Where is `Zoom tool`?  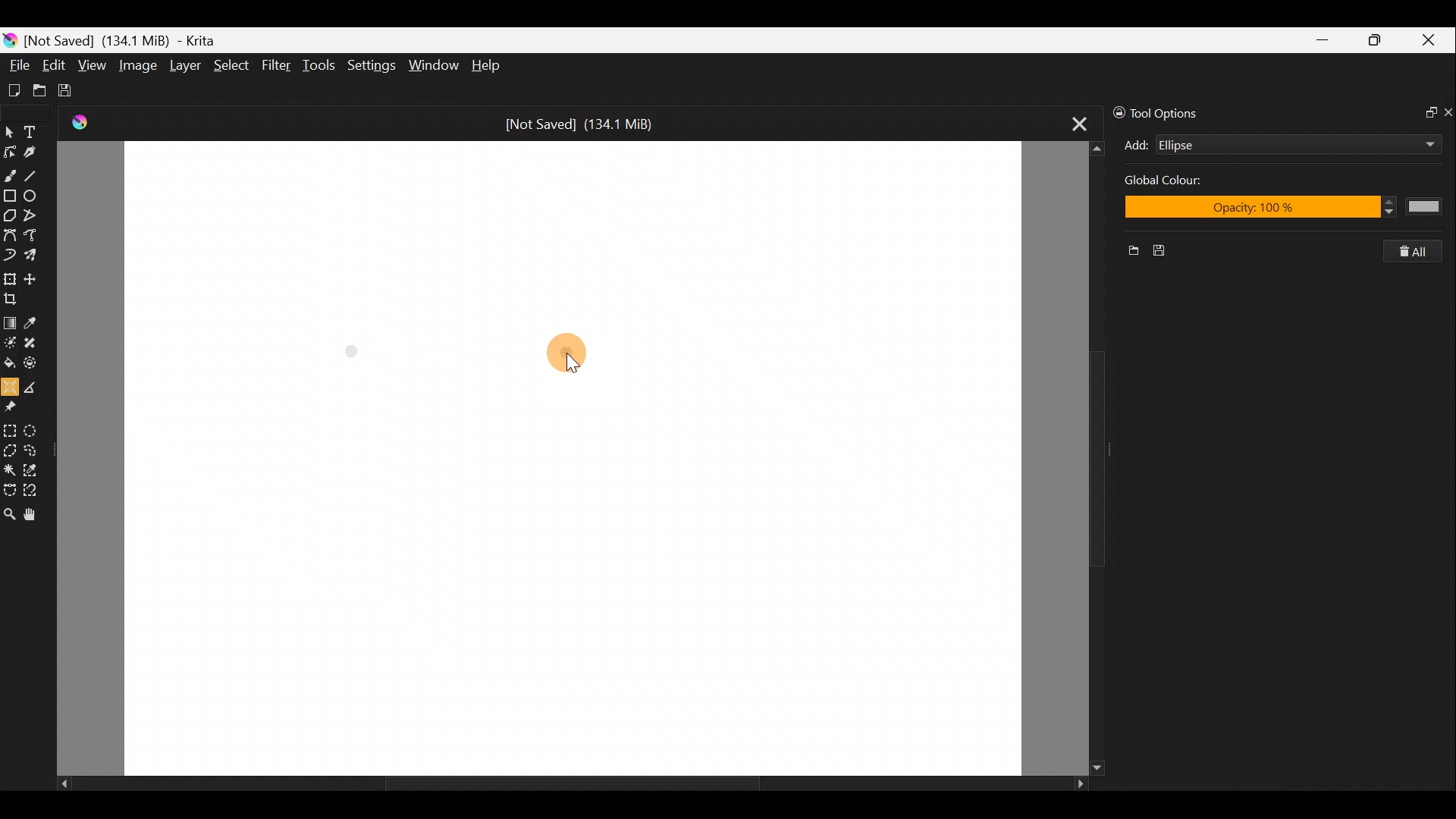
Zoom tool is located at coordinates (9, 513).